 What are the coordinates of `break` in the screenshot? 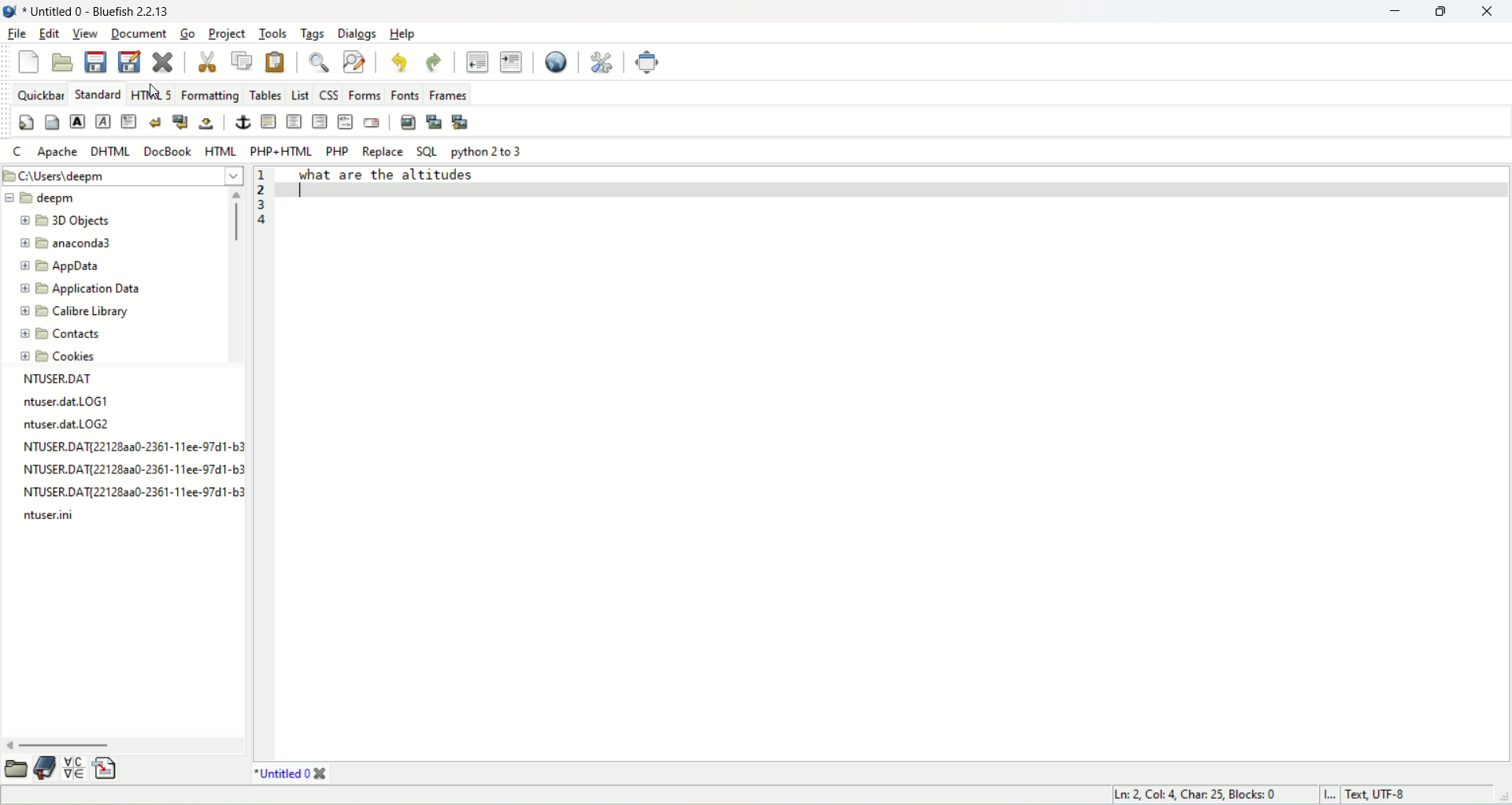 It's located at (157, 123).